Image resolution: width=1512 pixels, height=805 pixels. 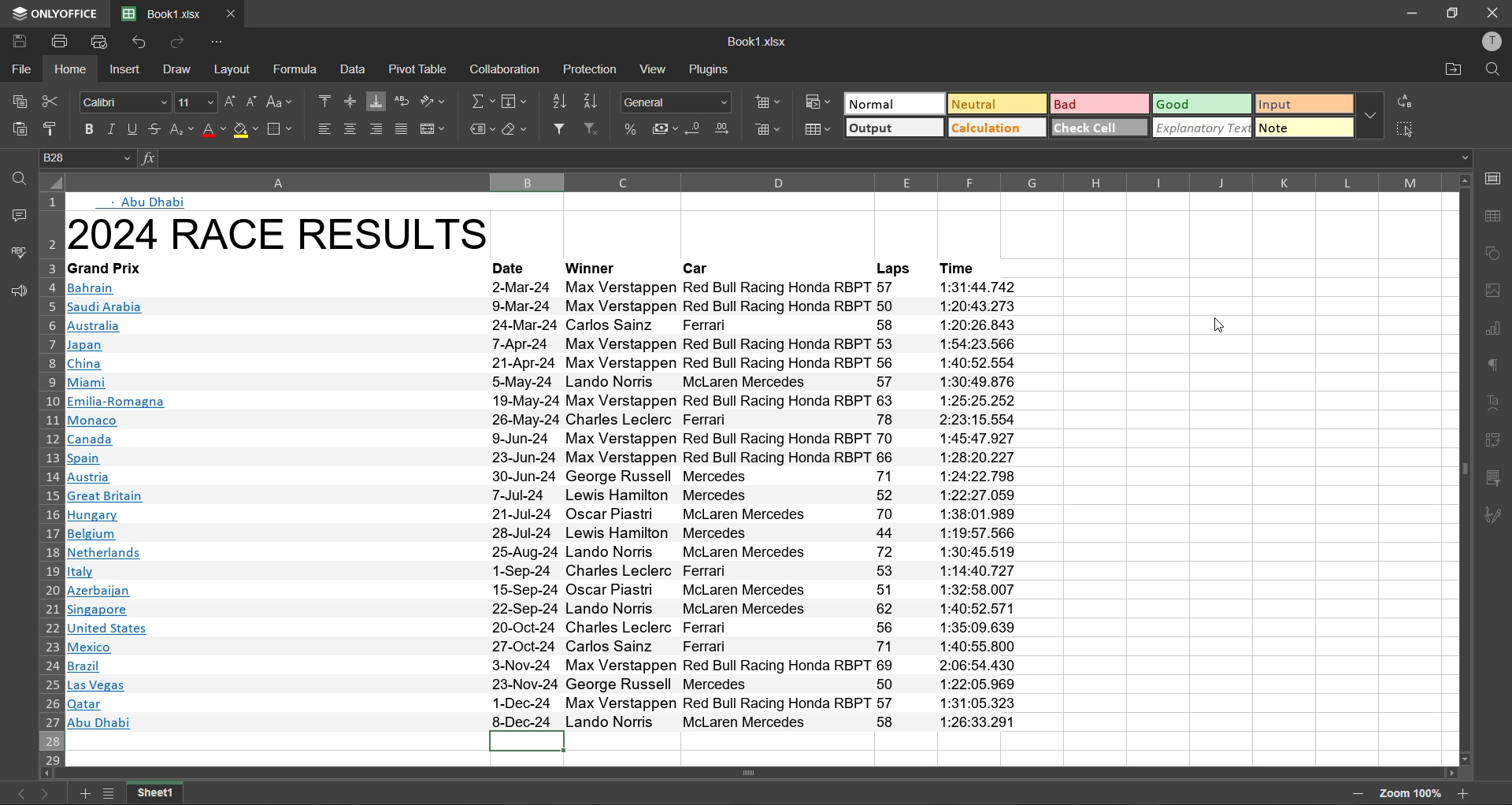 What do you see at coordinates (24, 60) in the screenshot?
I see `Cursor` at bounding box center [24, 60].